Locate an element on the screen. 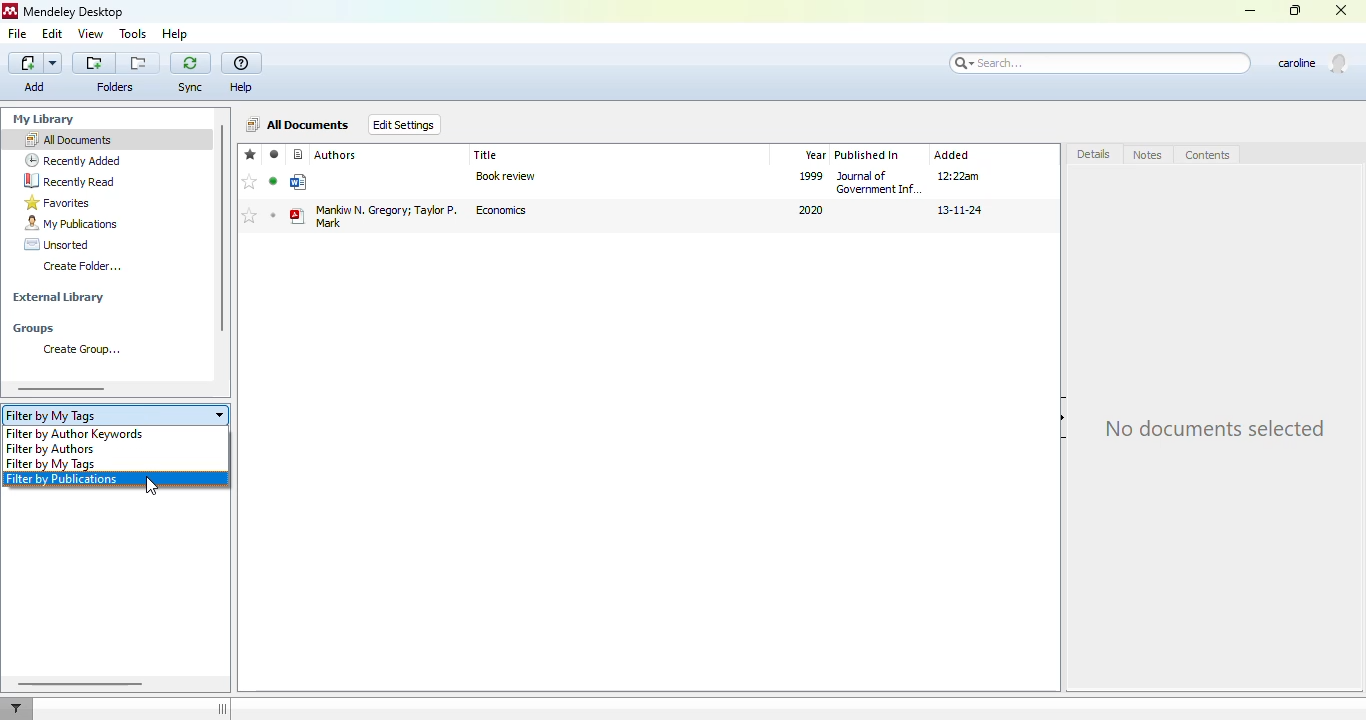  add is located at coordinates (36, 73).